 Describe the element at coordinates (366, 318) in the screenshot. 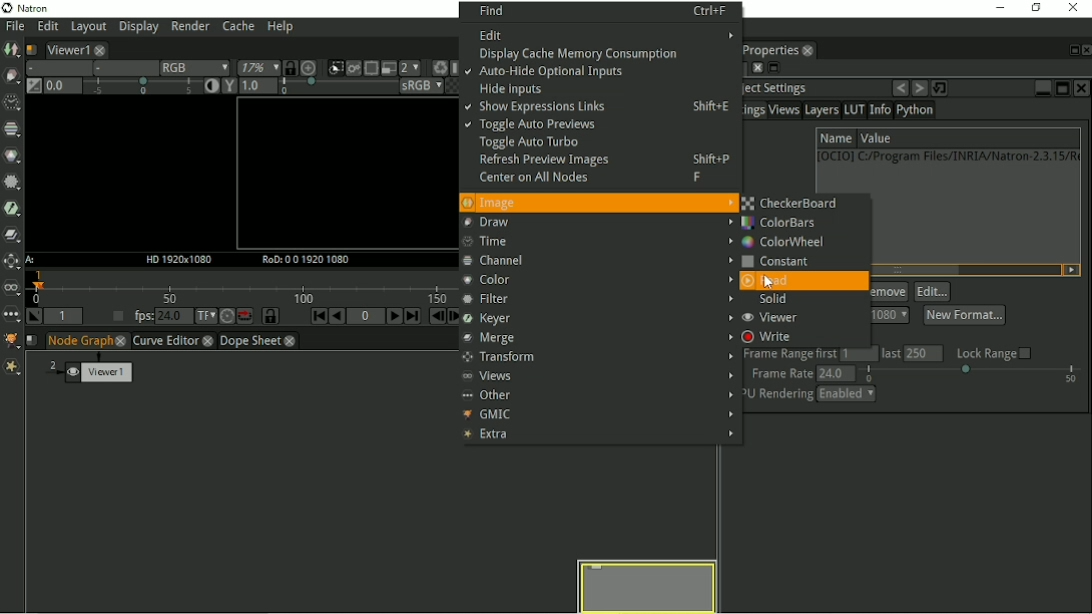

I see `Current frame` at that location.